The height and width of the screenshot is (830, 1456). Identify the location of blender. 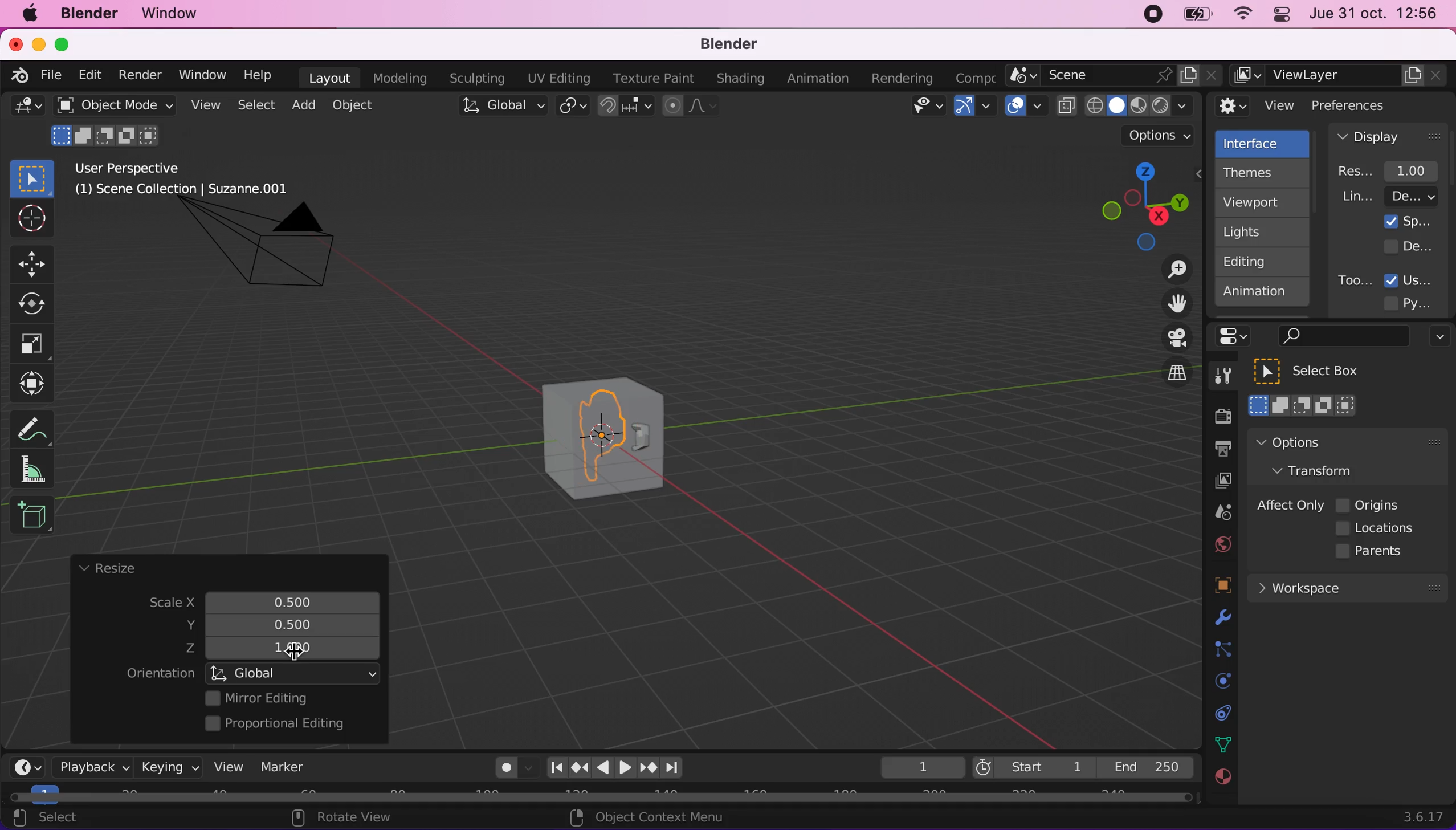
(721, 45).